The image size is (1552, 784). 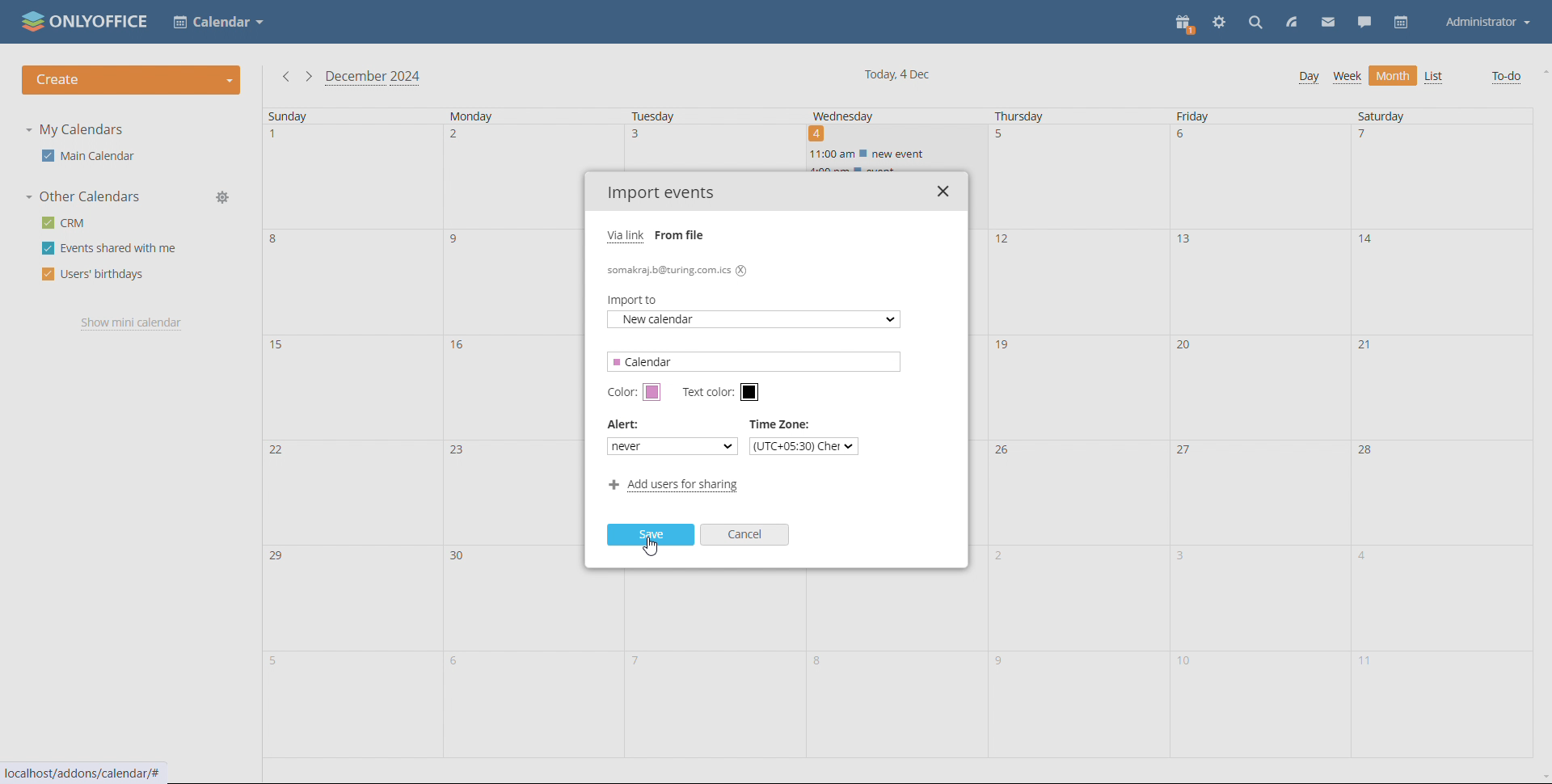 I want to click on set calendar color, so click(x=654, y=393).